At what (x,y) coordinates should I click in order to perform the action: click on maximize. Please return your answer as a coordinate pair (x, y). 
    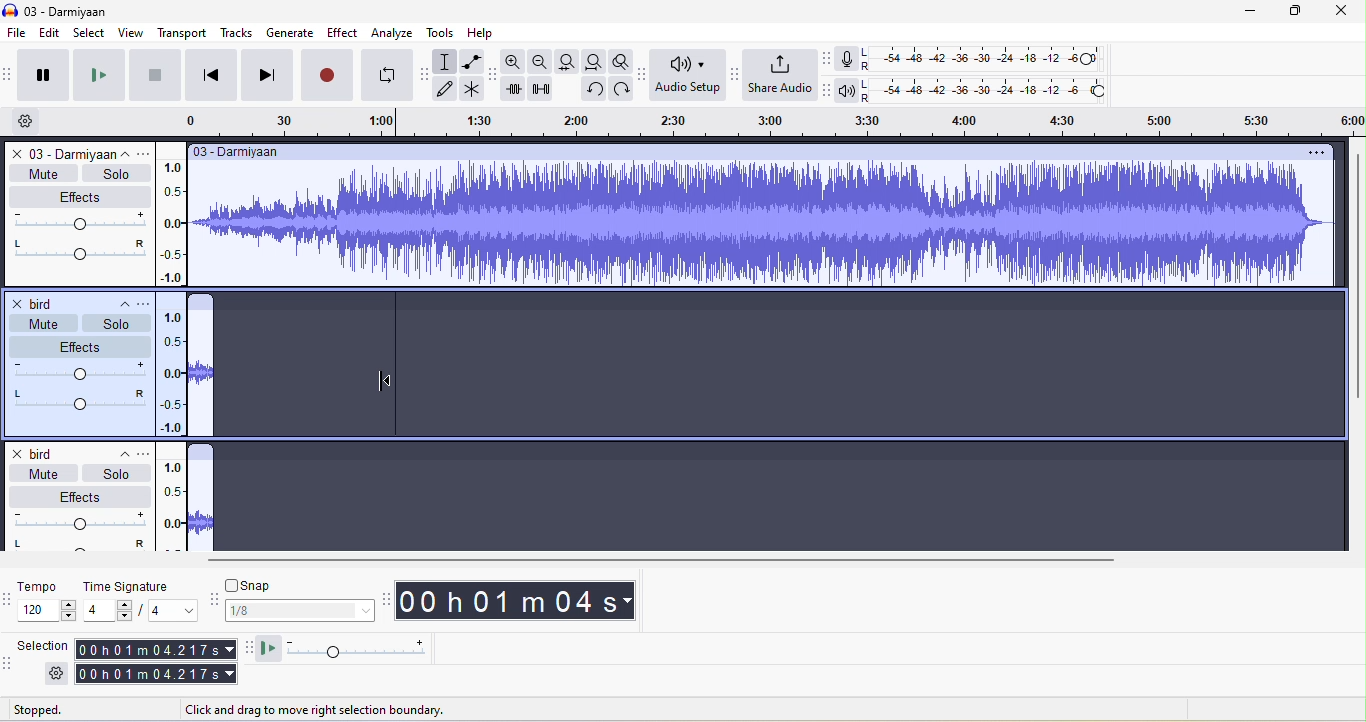
    Looking at the image, I should click on (1290, 11).